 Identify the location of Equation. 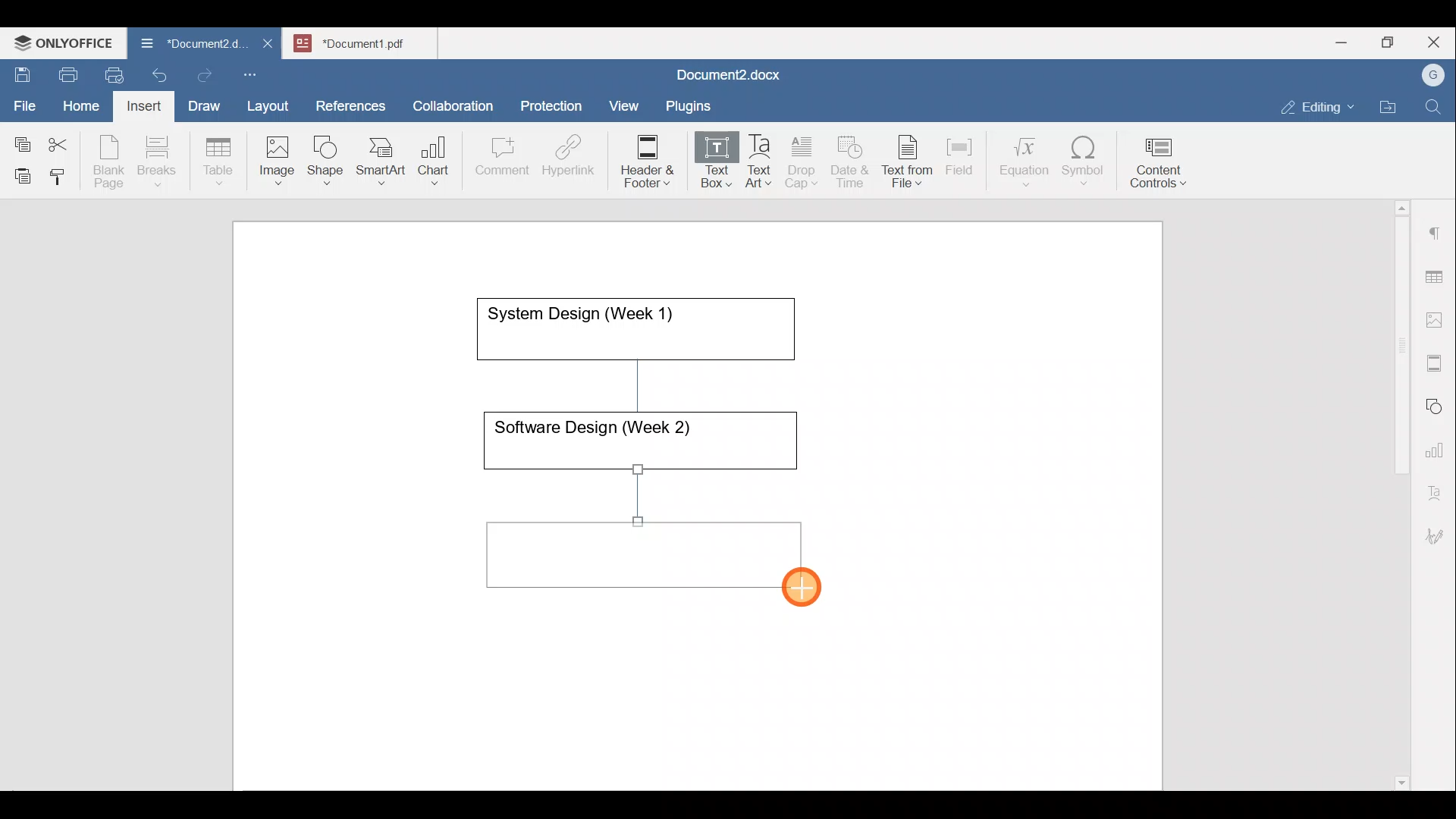
(1028, 161).